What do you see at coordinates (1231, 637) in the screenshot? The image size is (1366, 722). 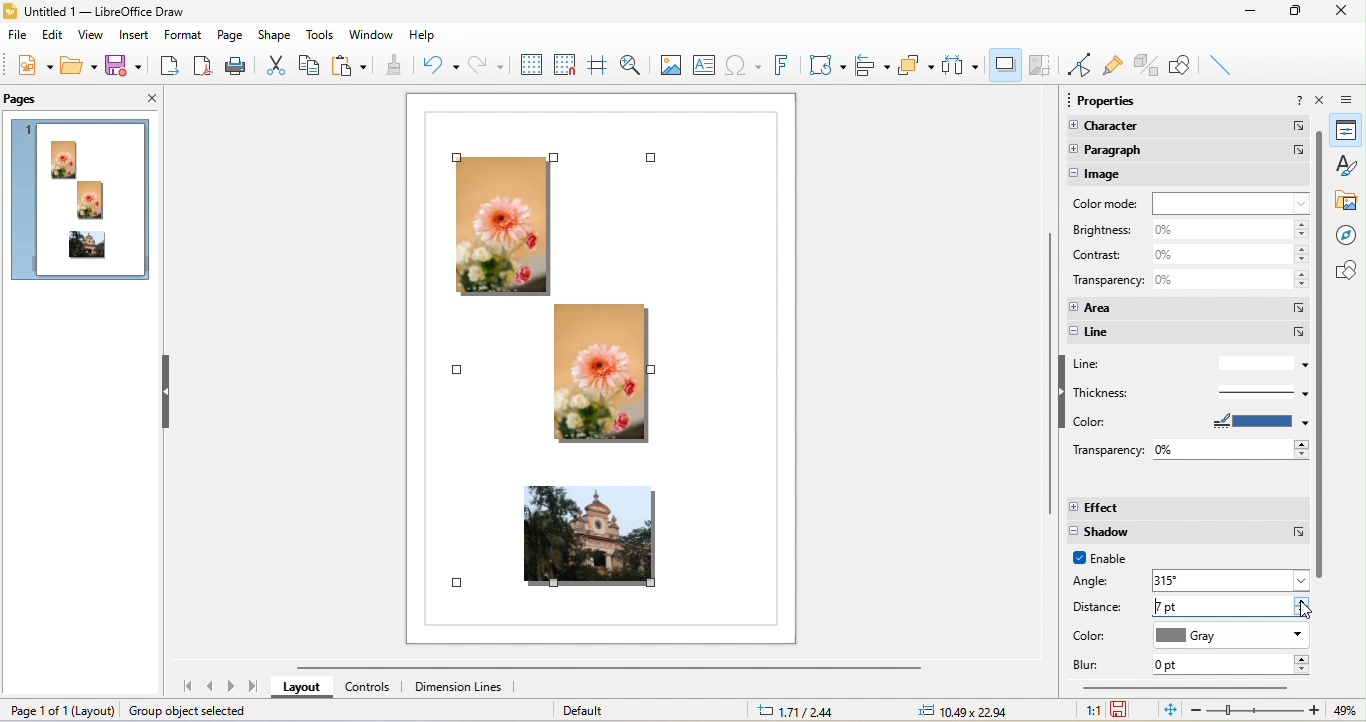 I see `gray` at bounding box center [1231, 637].